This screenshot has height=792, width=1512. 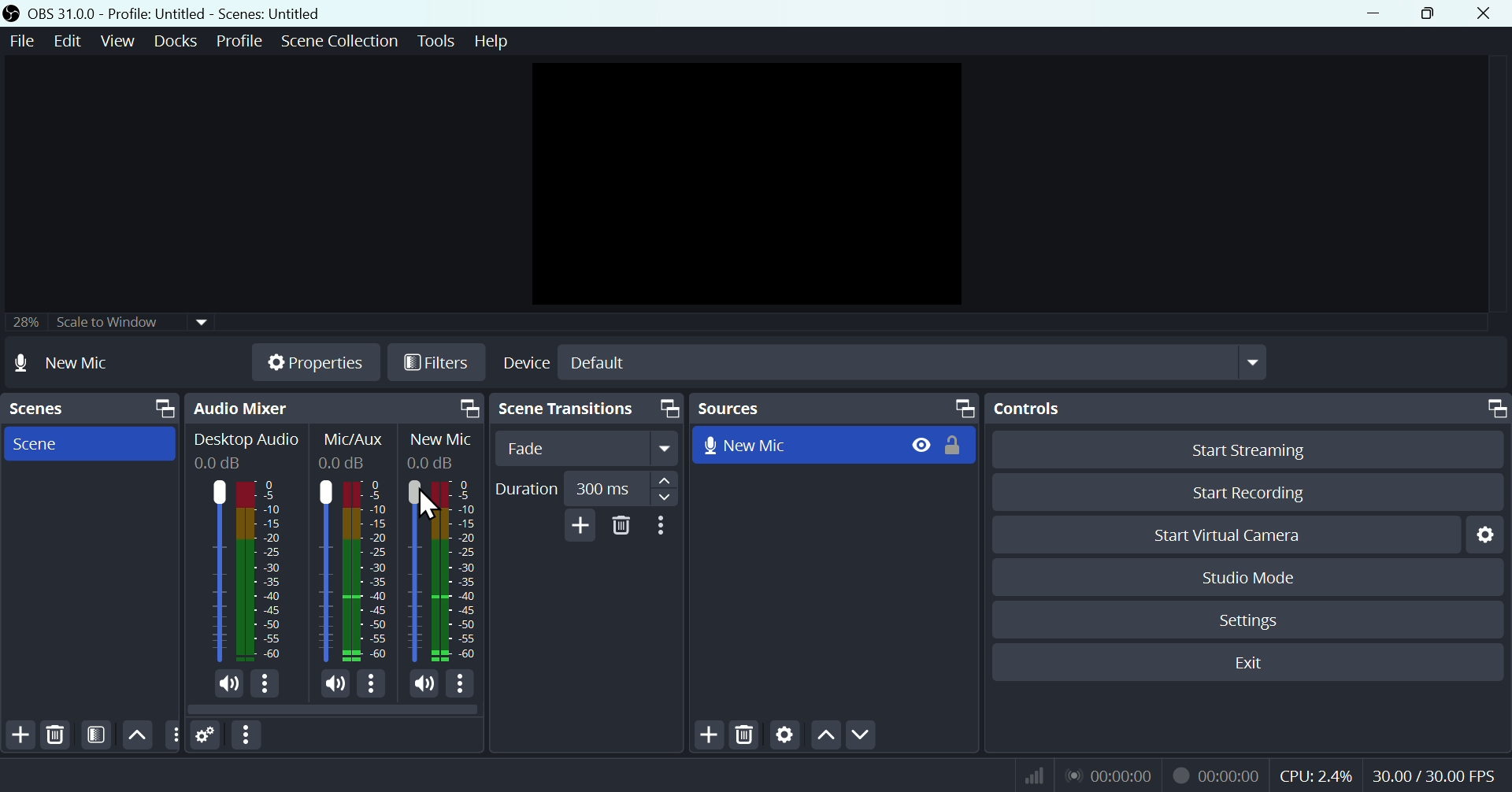 What do you see at coordinates (357, 439) in the screenshot?
I see `` at bounding box center [357, 439].